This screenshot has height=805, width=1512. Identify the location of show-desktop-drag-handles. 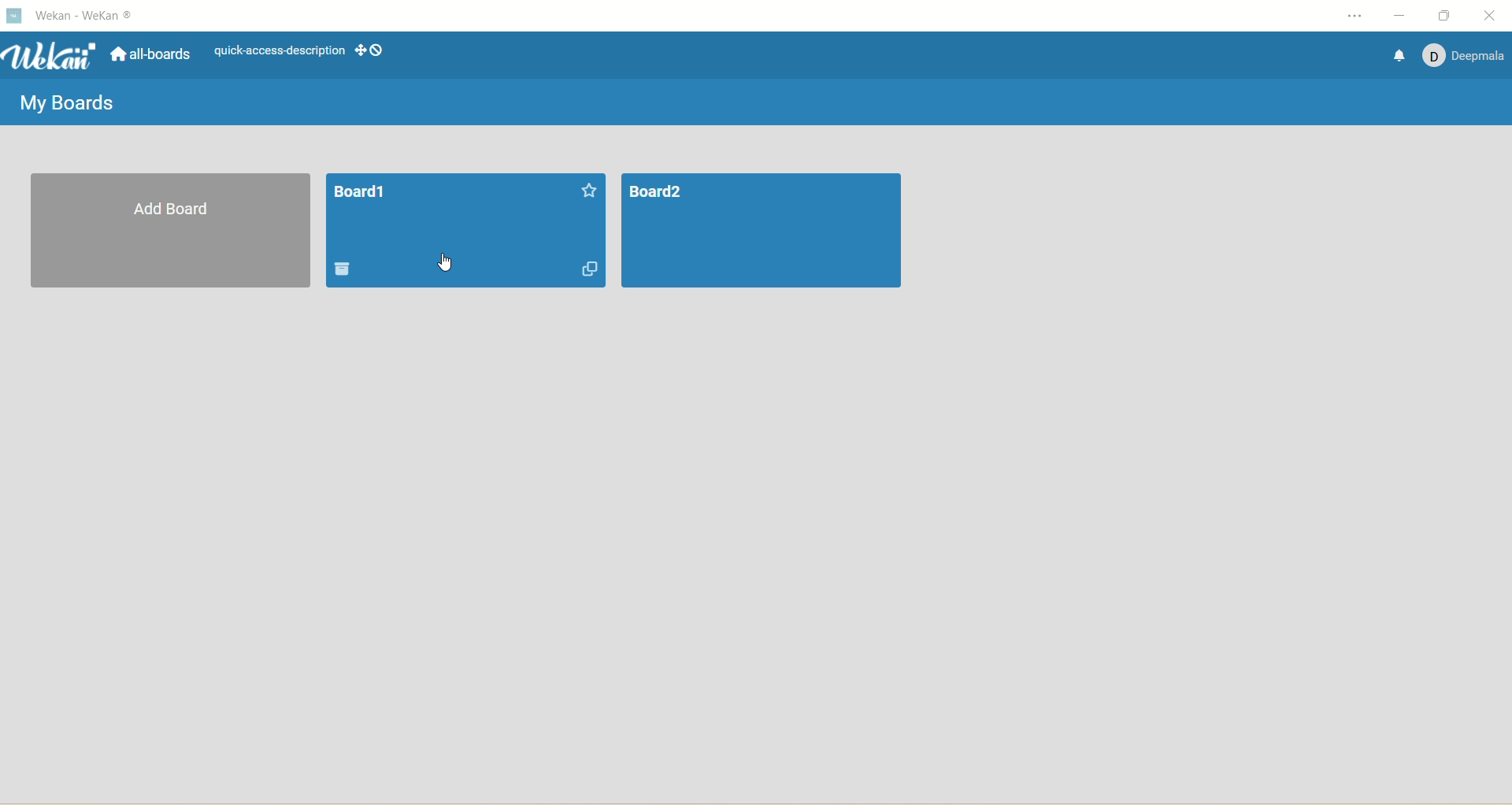
(360, 50).